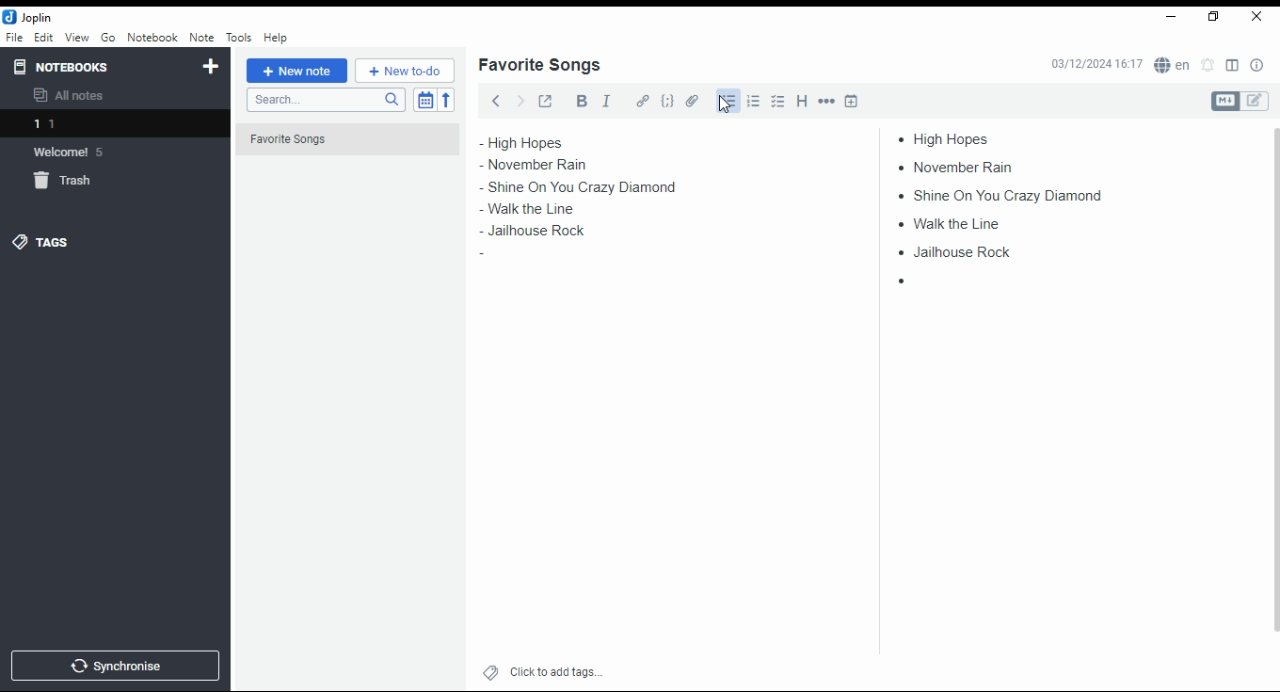 This screenshot has width=1280, height=692. I want to click on toggle editors, so click(1240, 101).